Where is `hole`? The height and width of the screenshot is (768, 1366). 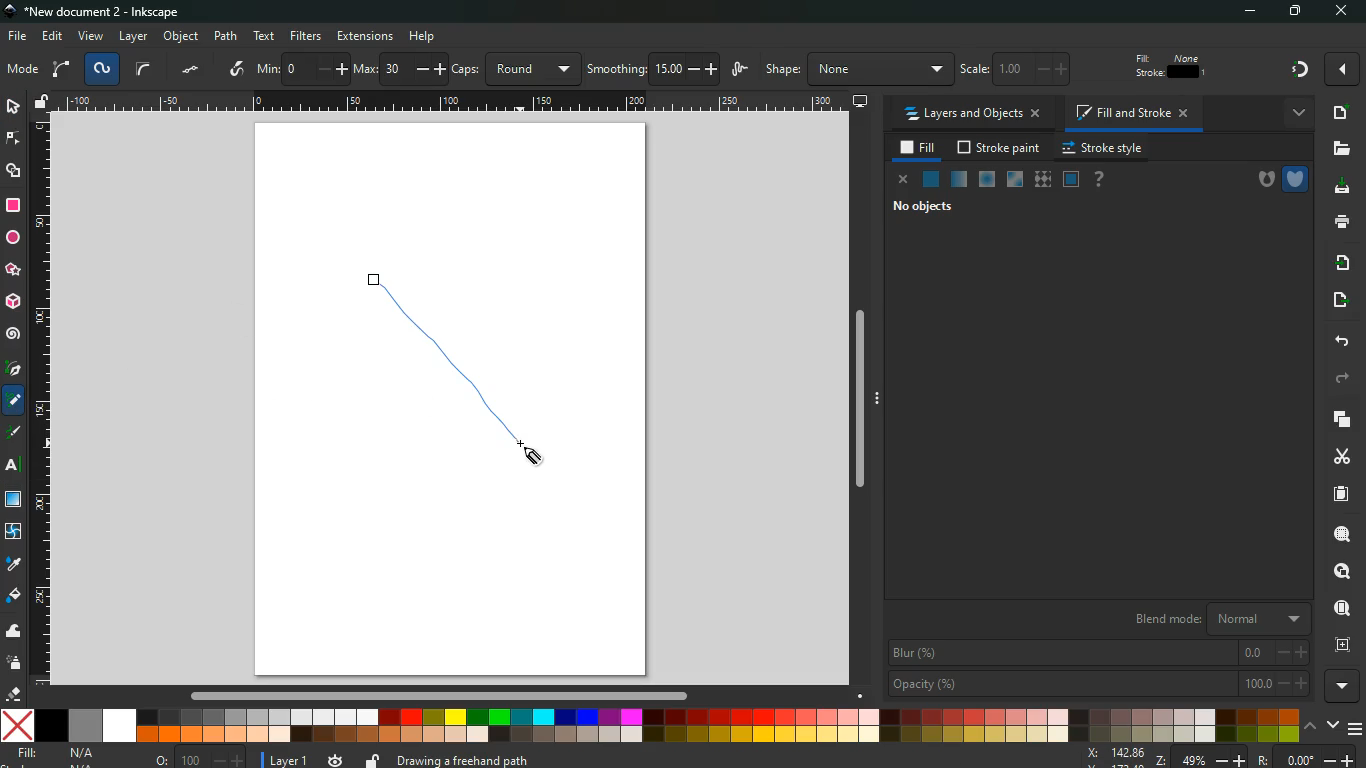
hole is located at coordinates (1258, 177).